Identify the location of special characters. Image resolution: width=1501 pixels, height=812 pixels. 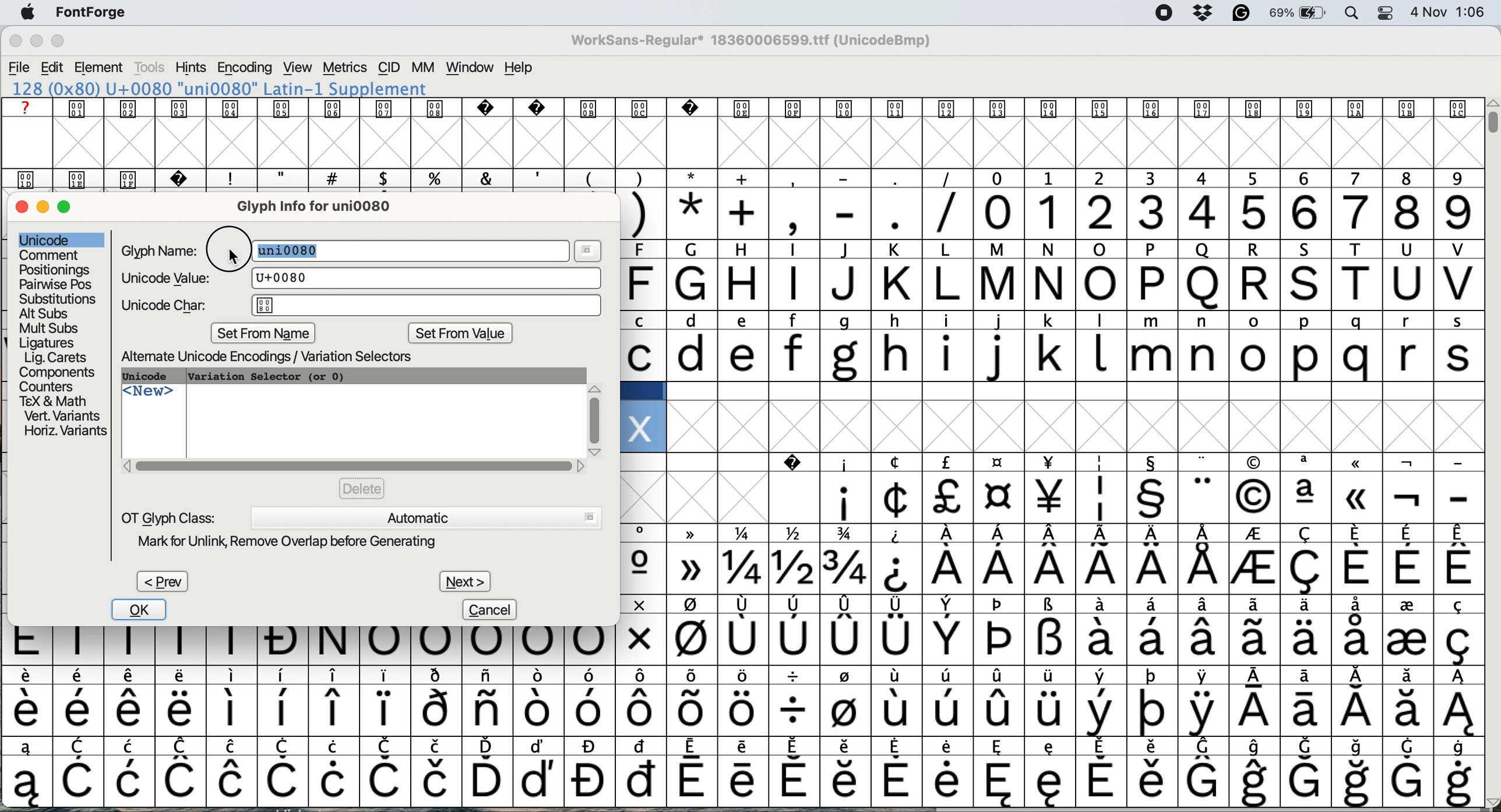
(1056, 498).